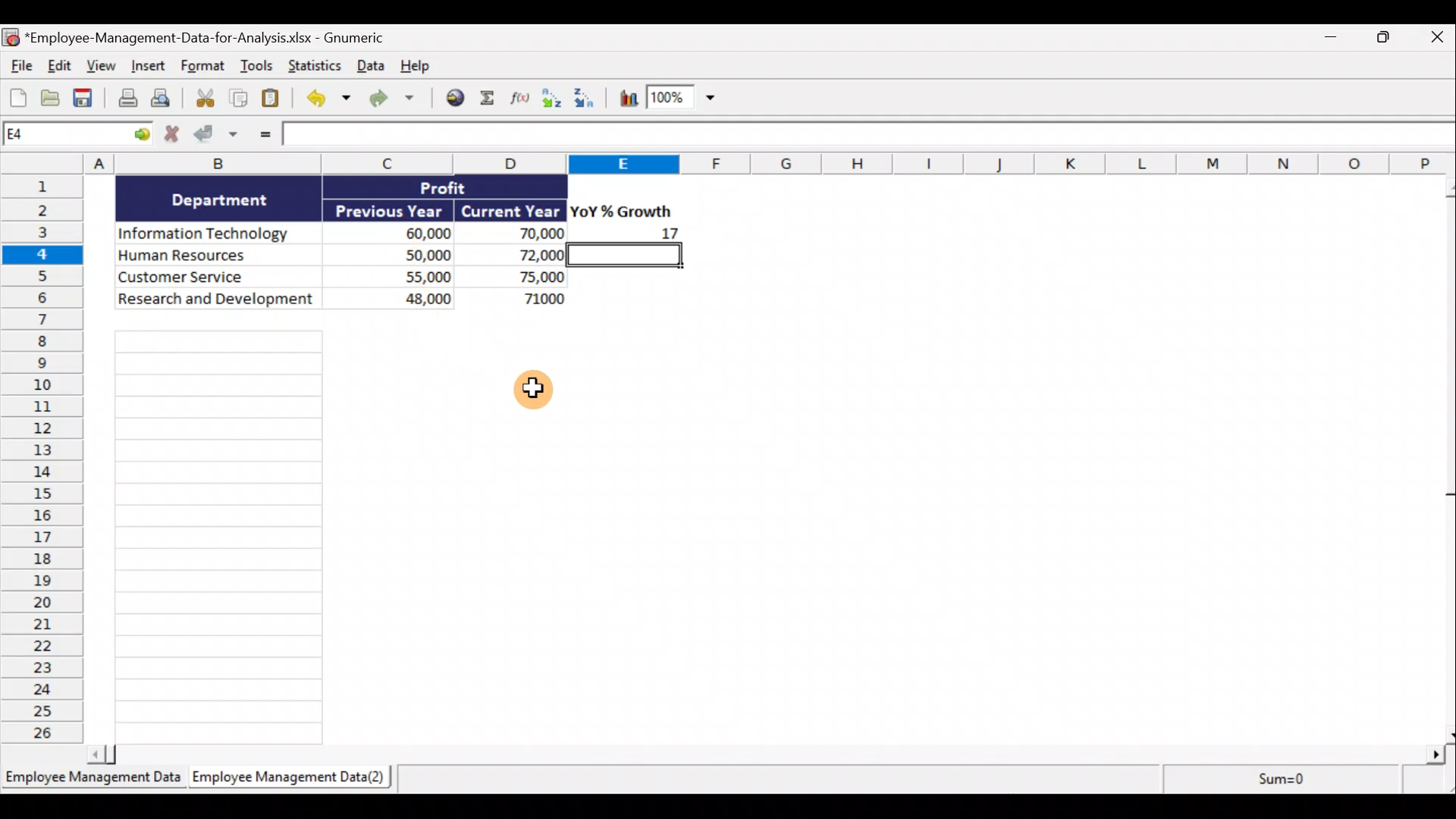 This screenshot has width=1456, height=819. I want to click on Maximise, so click(1389, 37).